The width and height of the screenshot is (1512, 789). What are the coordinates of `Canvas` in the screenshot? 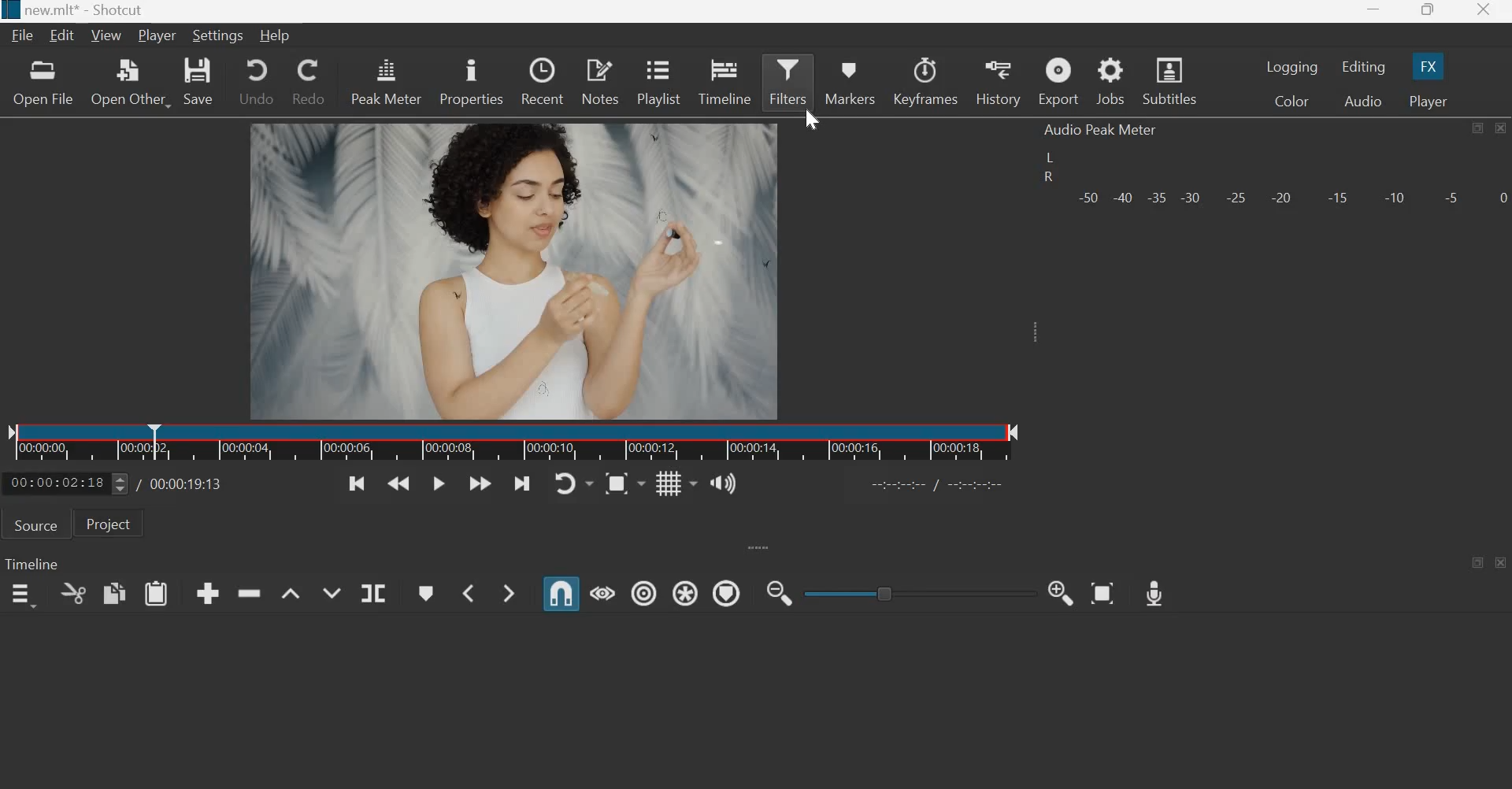 It's located at (523, 271).